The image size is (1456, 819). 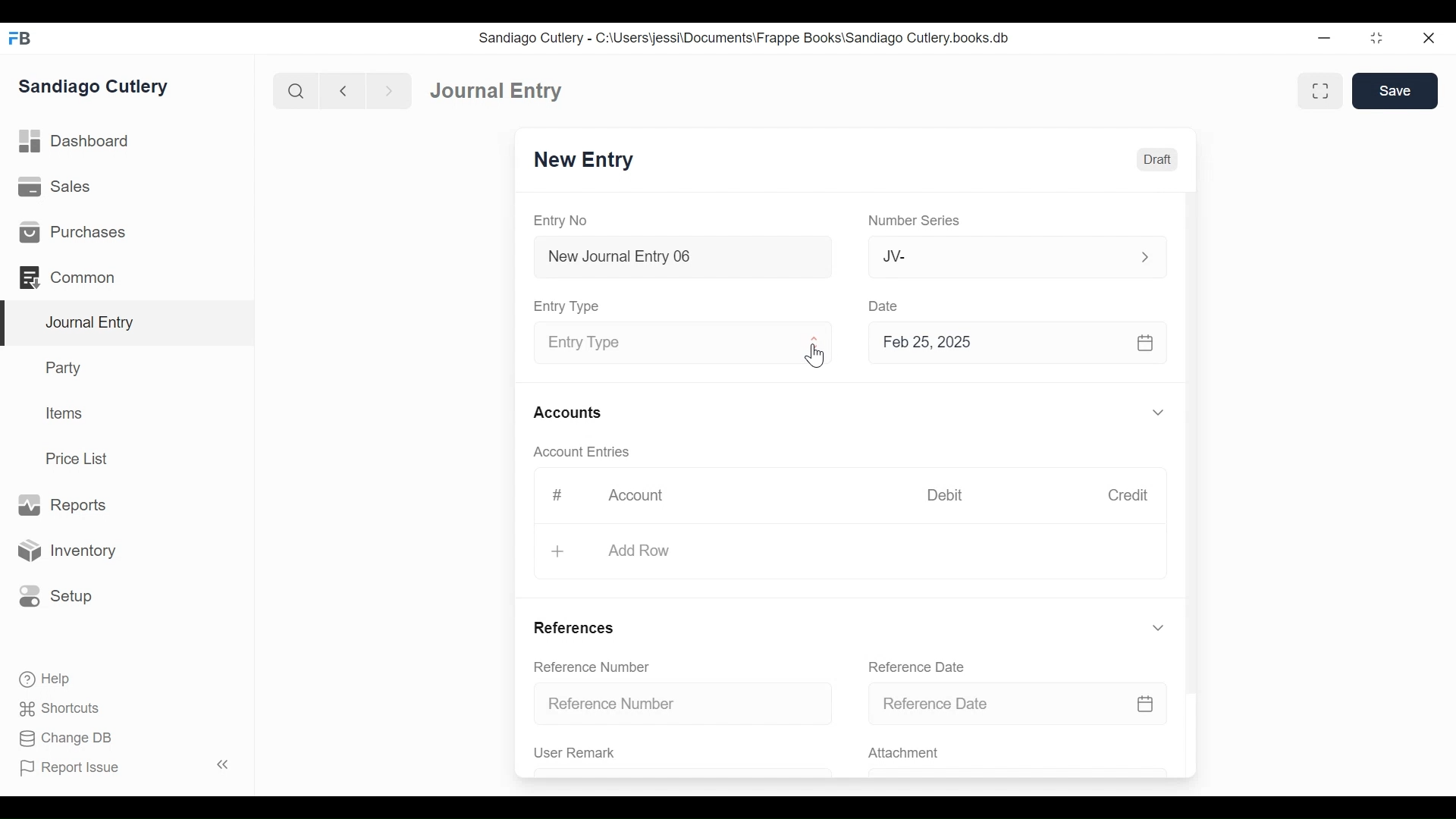 I want to click on Sandiago Cutlery - C:\Users\jessi\Documents\Frappe Books\Sandiago Cutlery.books.db, so click(x=745, y=38).